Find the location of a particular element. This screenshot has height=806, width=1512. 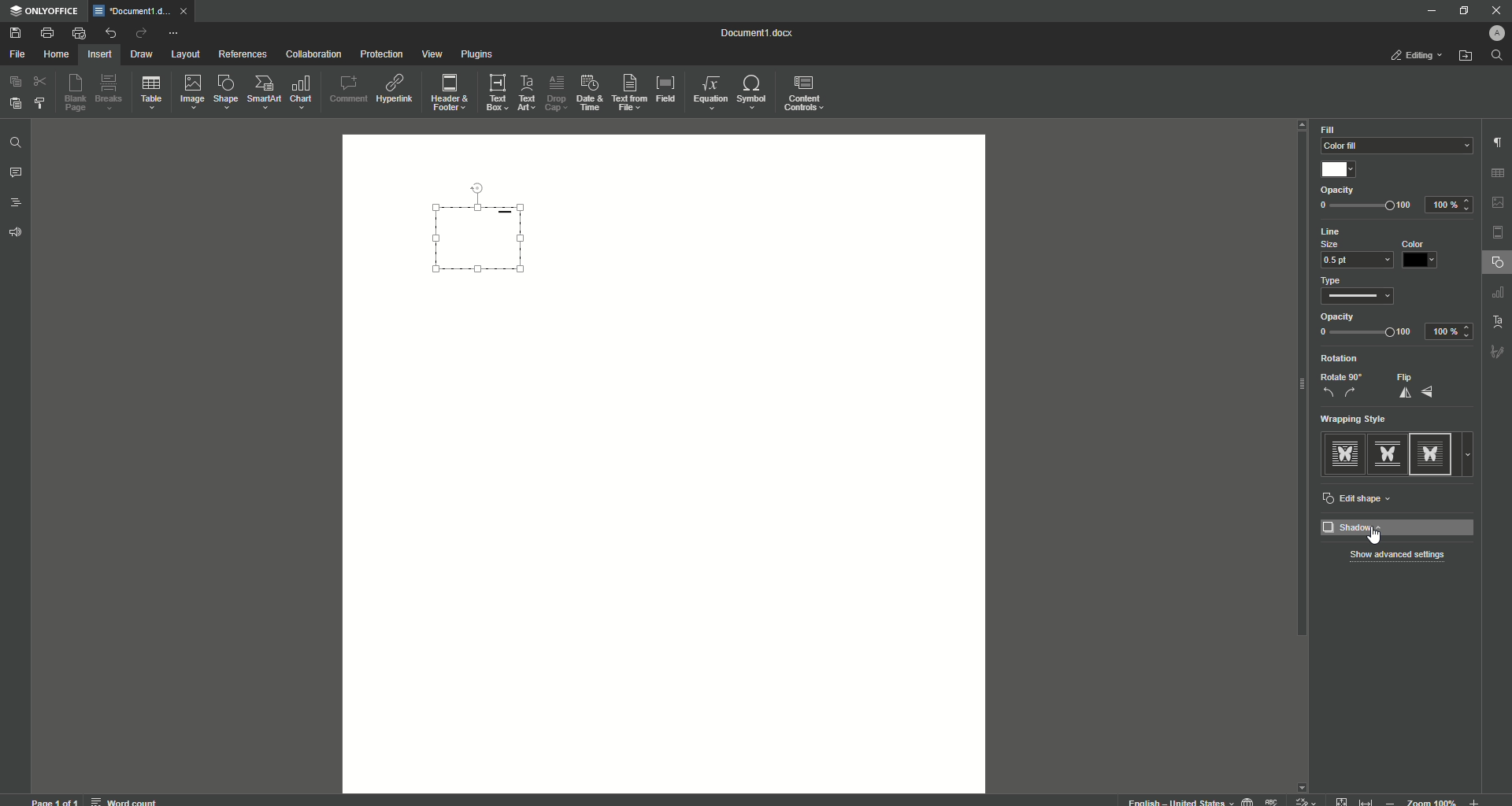

Choose Styles is located at coordinates (41, 102).